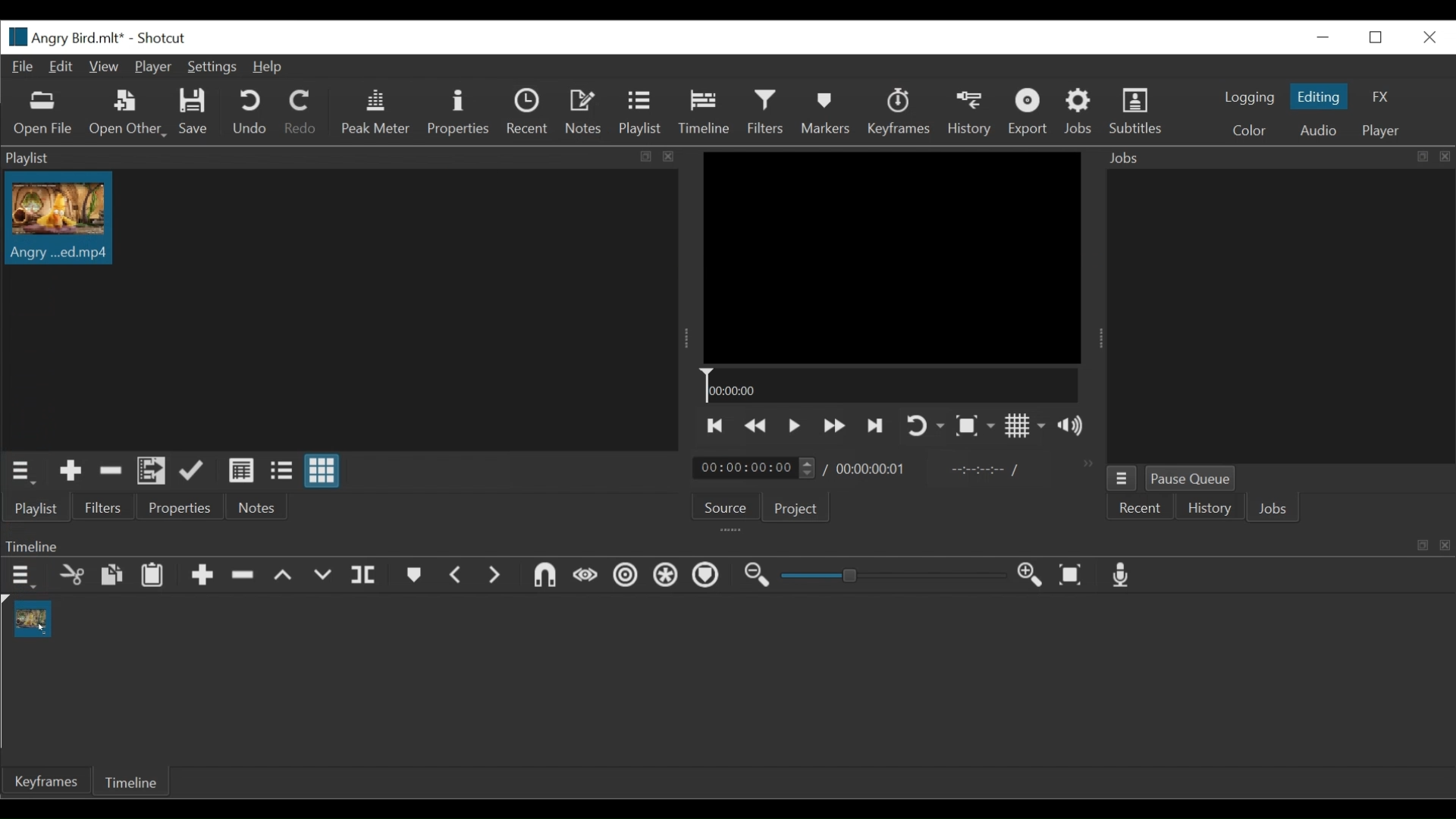 Image resolution: width=1456 pixels, height=819 pixels. Describe the element at coordinates (196, 111) in the screenshot. I see `Save` at that location.